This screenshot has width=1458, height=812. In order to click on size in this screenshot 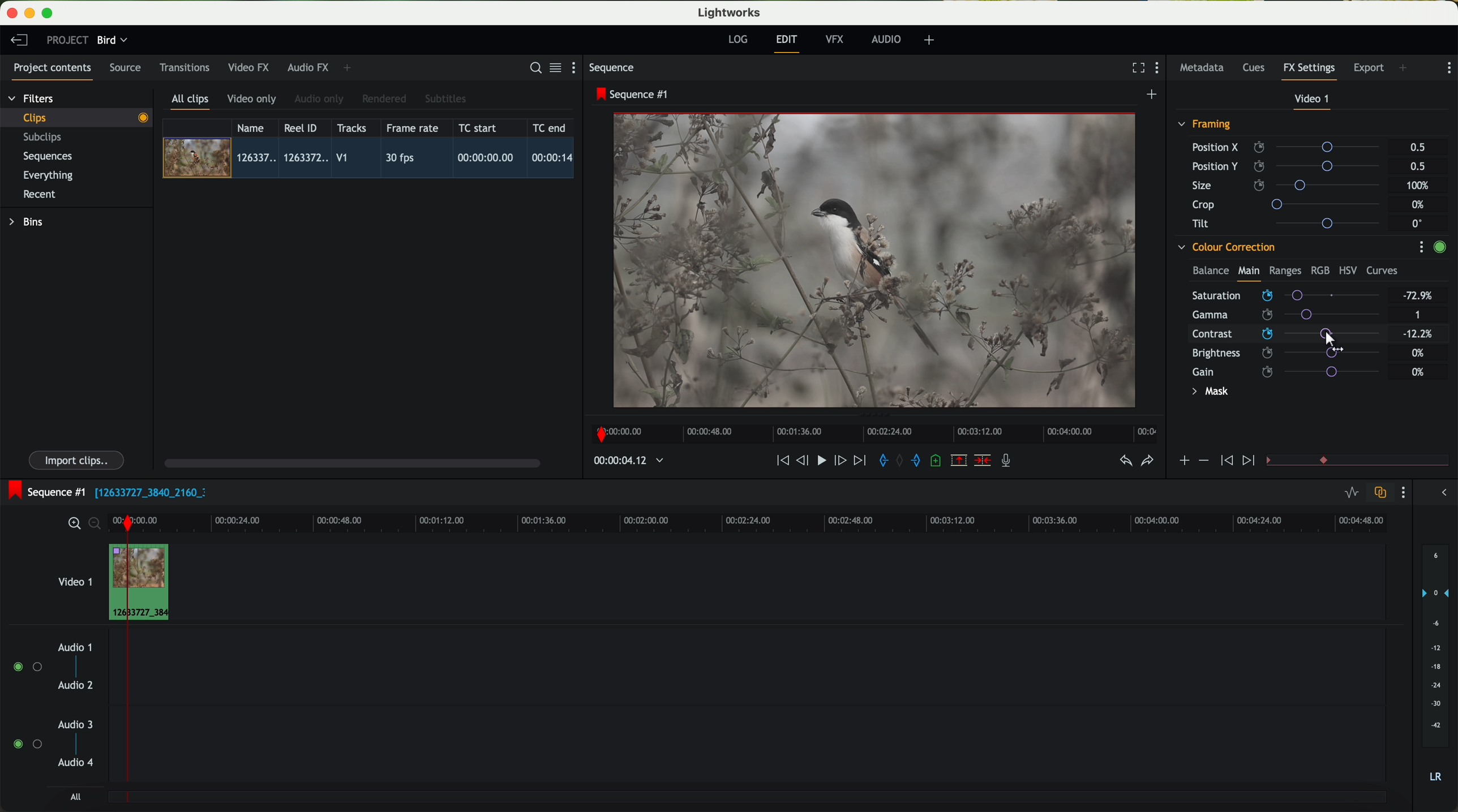, I will do `click(1289, 186)`.